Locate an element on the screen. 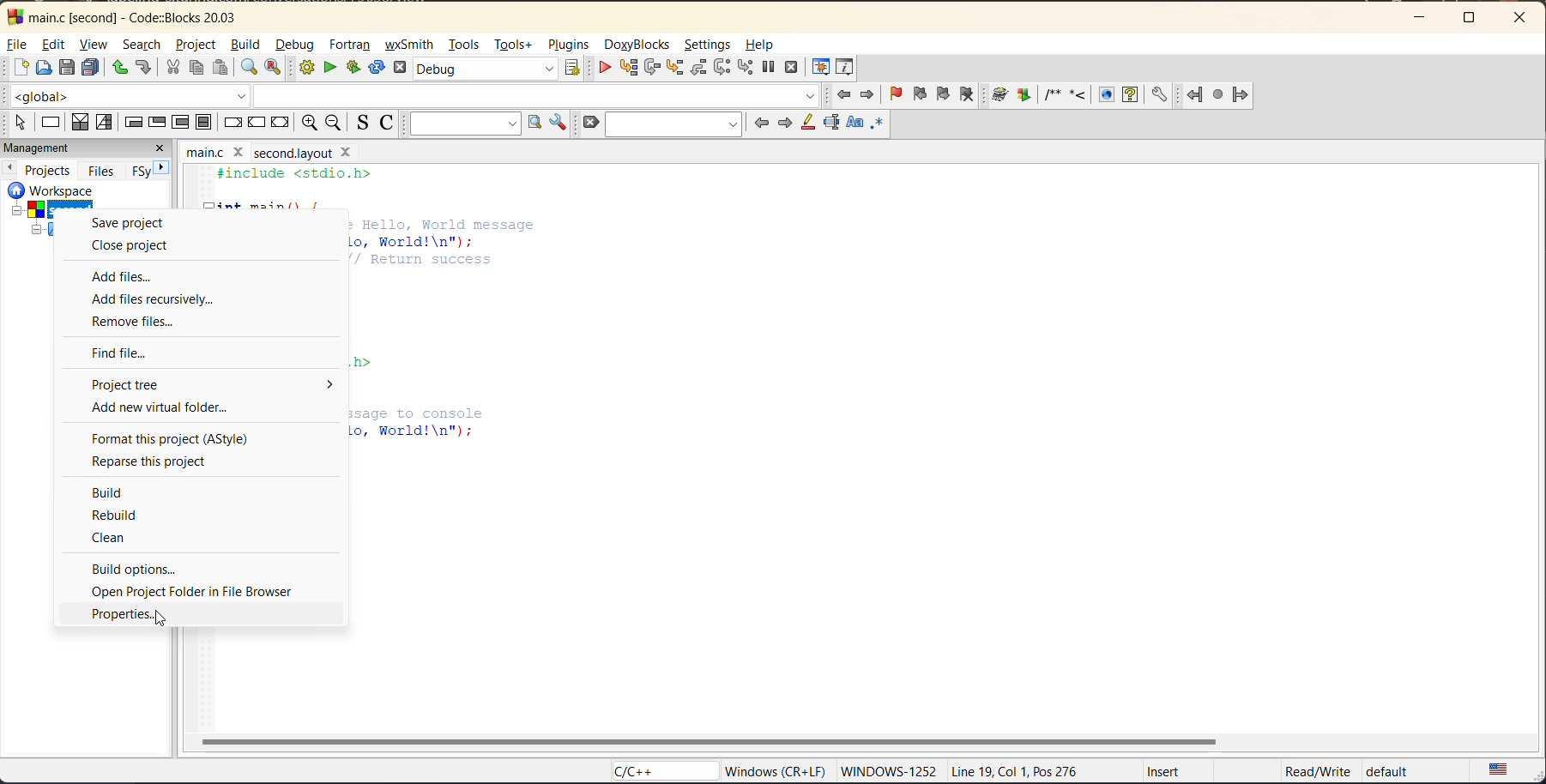  save everything is located at coordinates (93, 69).